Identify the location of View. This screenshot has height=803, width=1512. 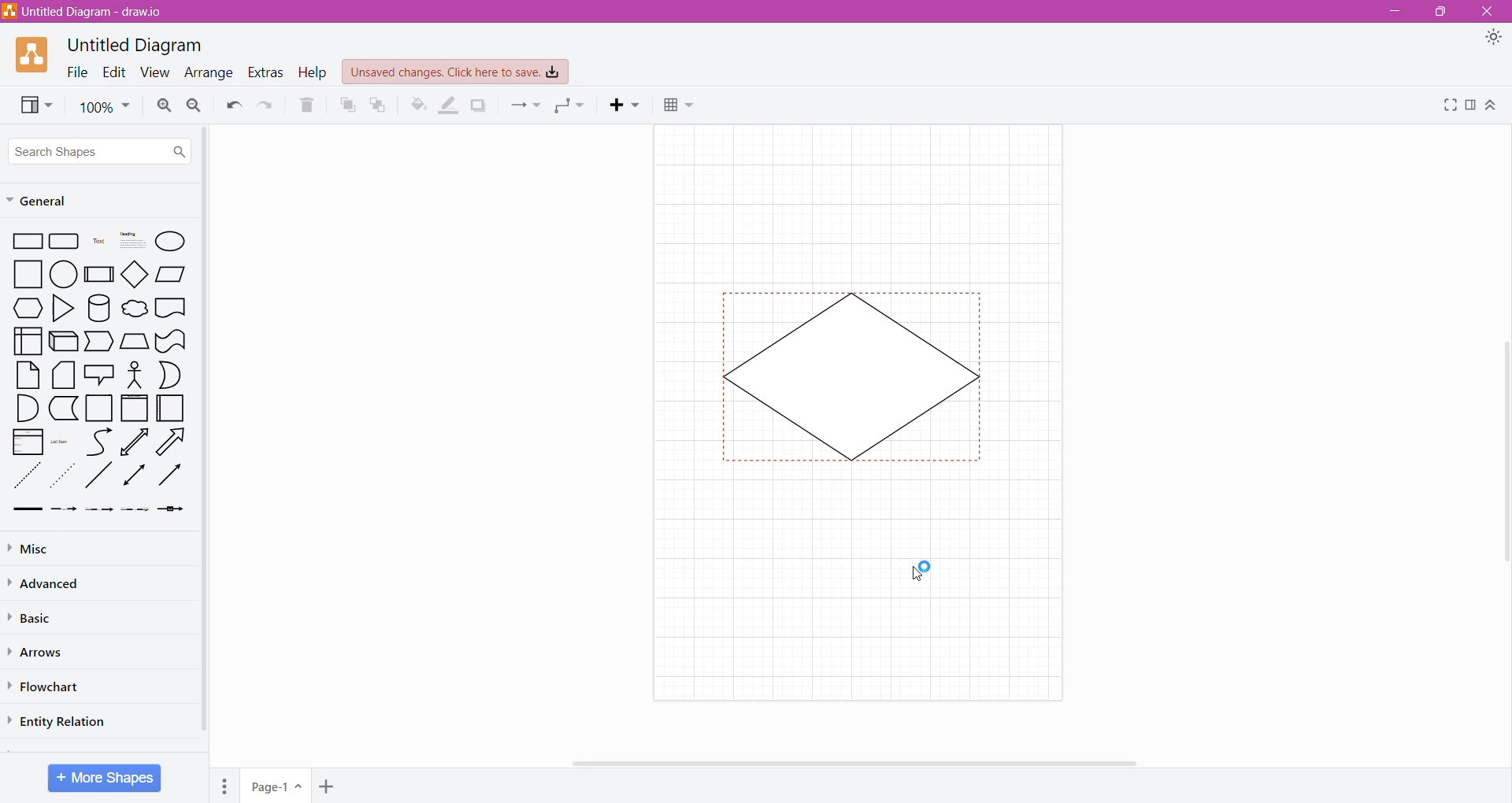
(35, 105).